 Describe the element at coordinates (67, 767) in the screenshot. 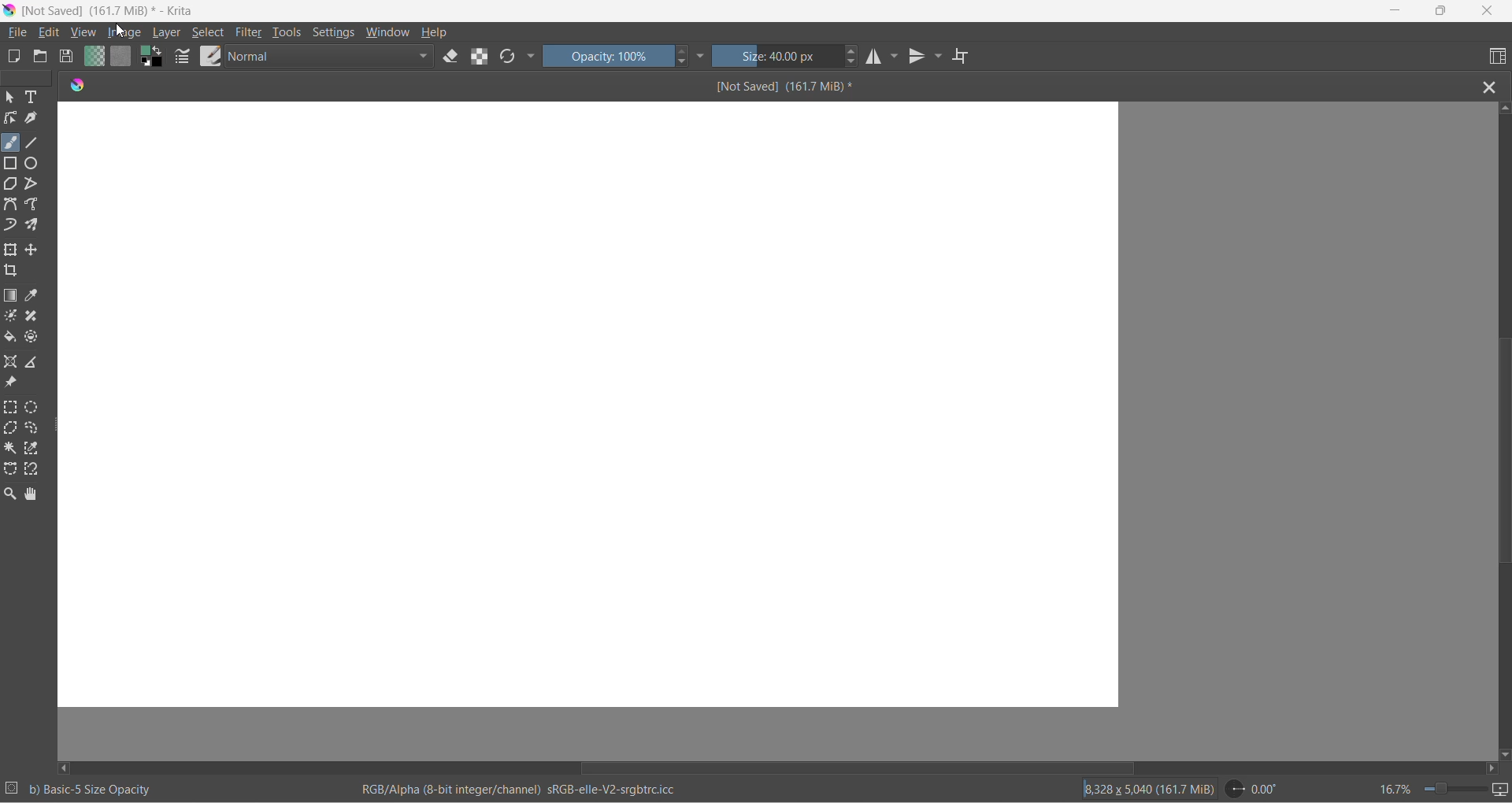

I see `scroll left button` at that location.